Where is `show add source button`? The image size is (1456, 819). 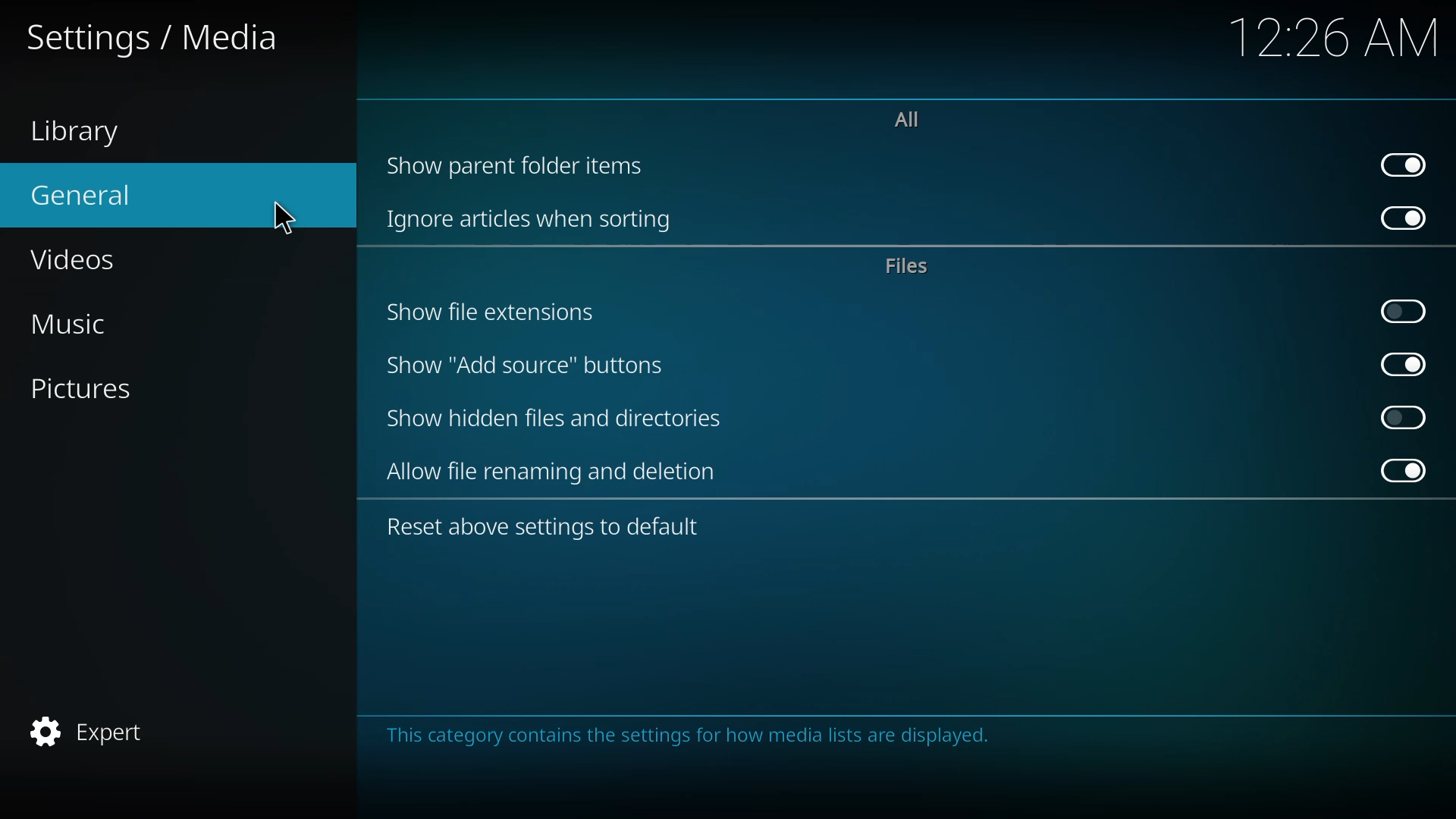 show add source button is located at coordinates (526, 365).